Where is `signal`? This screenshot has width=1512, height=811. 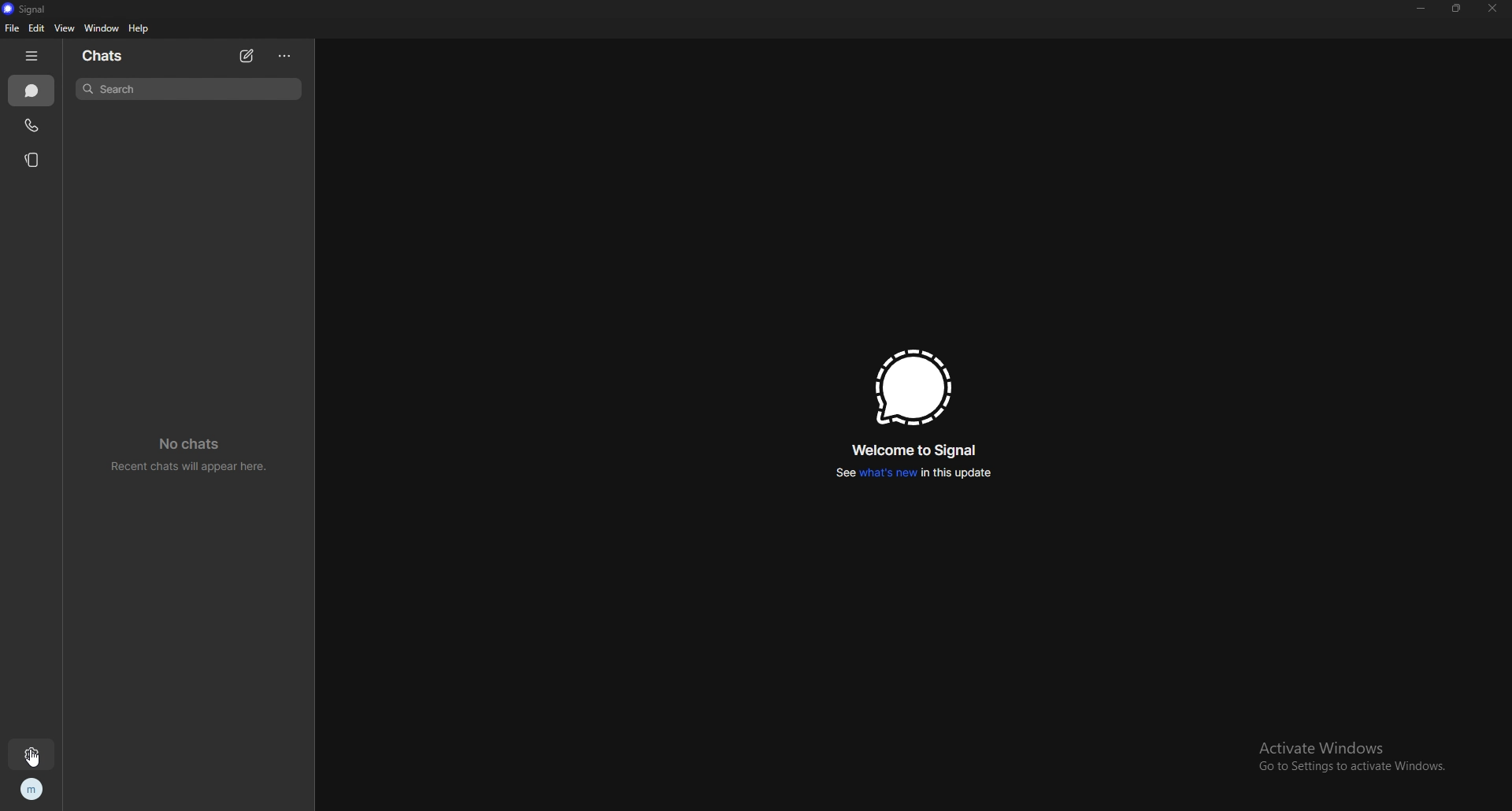
signal is located at coordinates (25, 9).